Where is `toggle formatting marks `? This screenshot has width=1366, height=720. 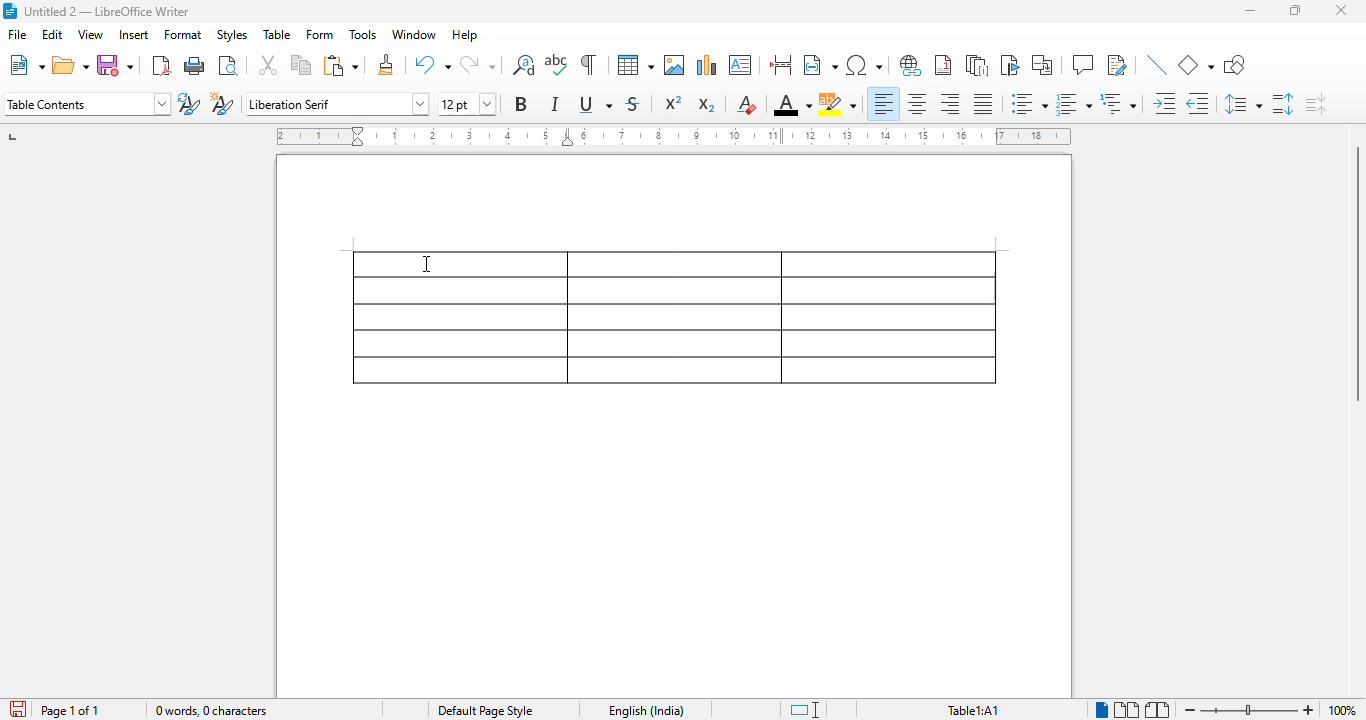 toggle formatting marks  is located at coordinates (588, 64).